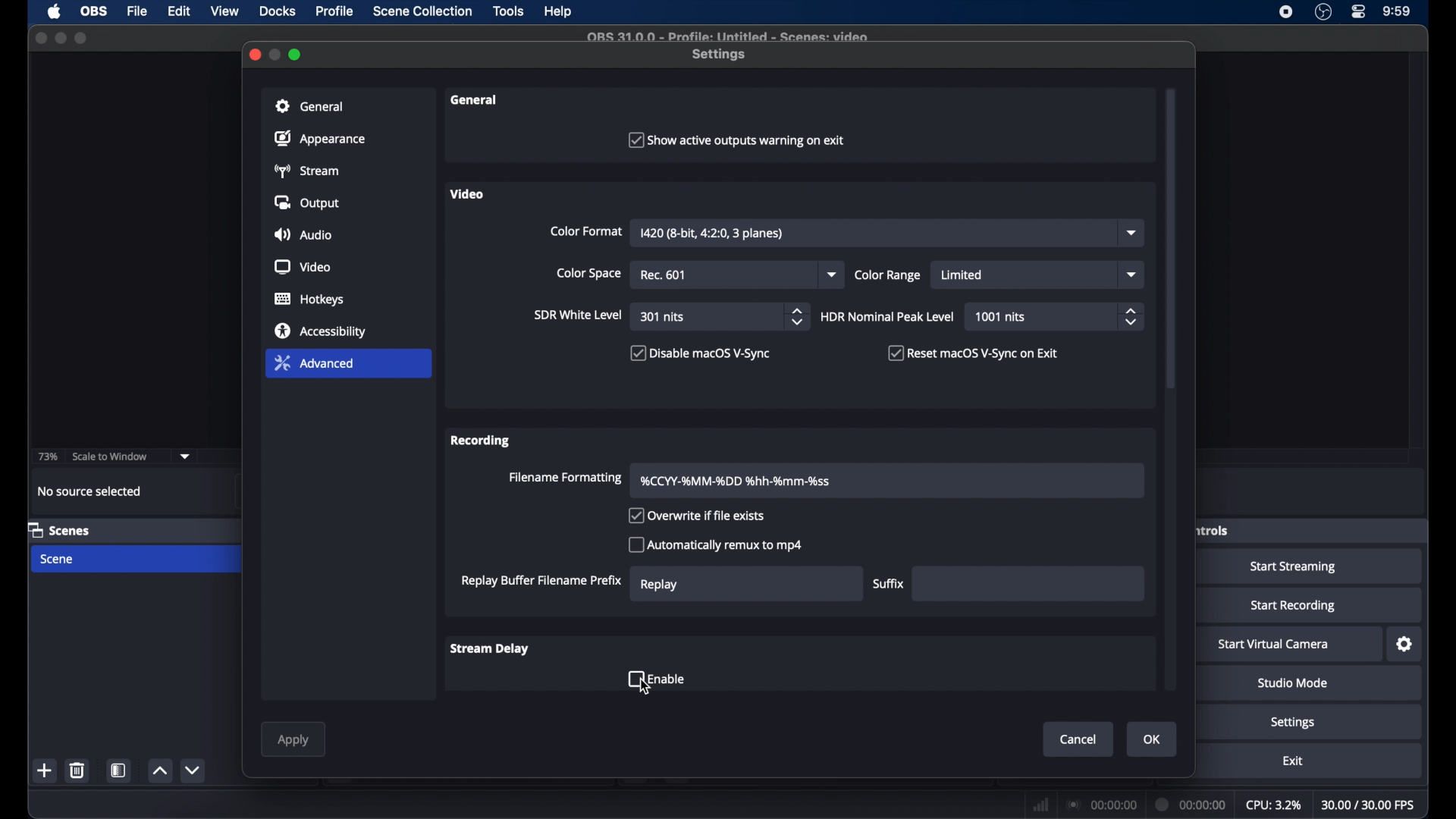 This screenshot has width=1456, height=819. I want to click on close, so click(40, 38).